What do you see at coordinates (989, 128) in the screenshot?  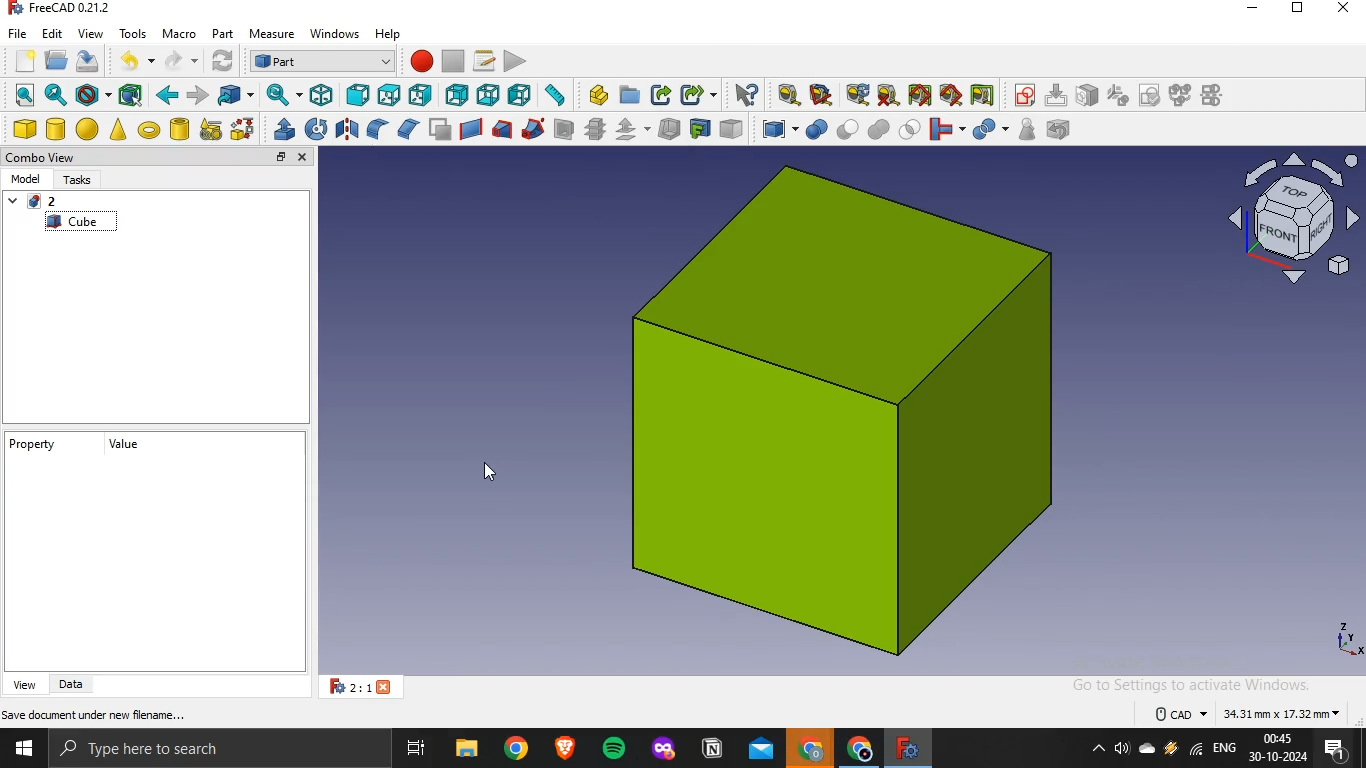 I see `split objects` at bounding box center [989, 128].